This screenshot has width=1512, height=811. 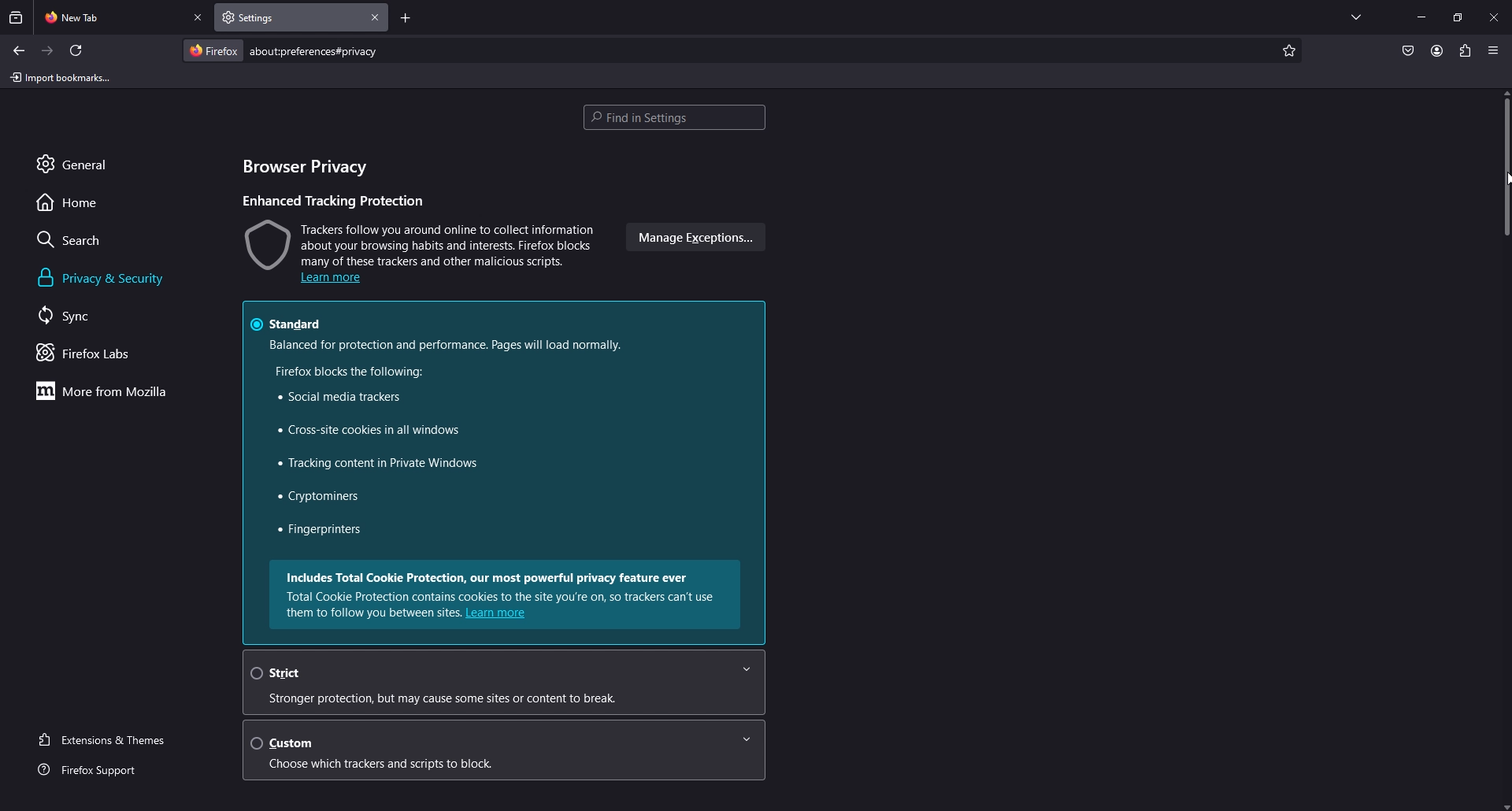 I want to click on Firefox blocks the following:, so click(x=346, y=372).